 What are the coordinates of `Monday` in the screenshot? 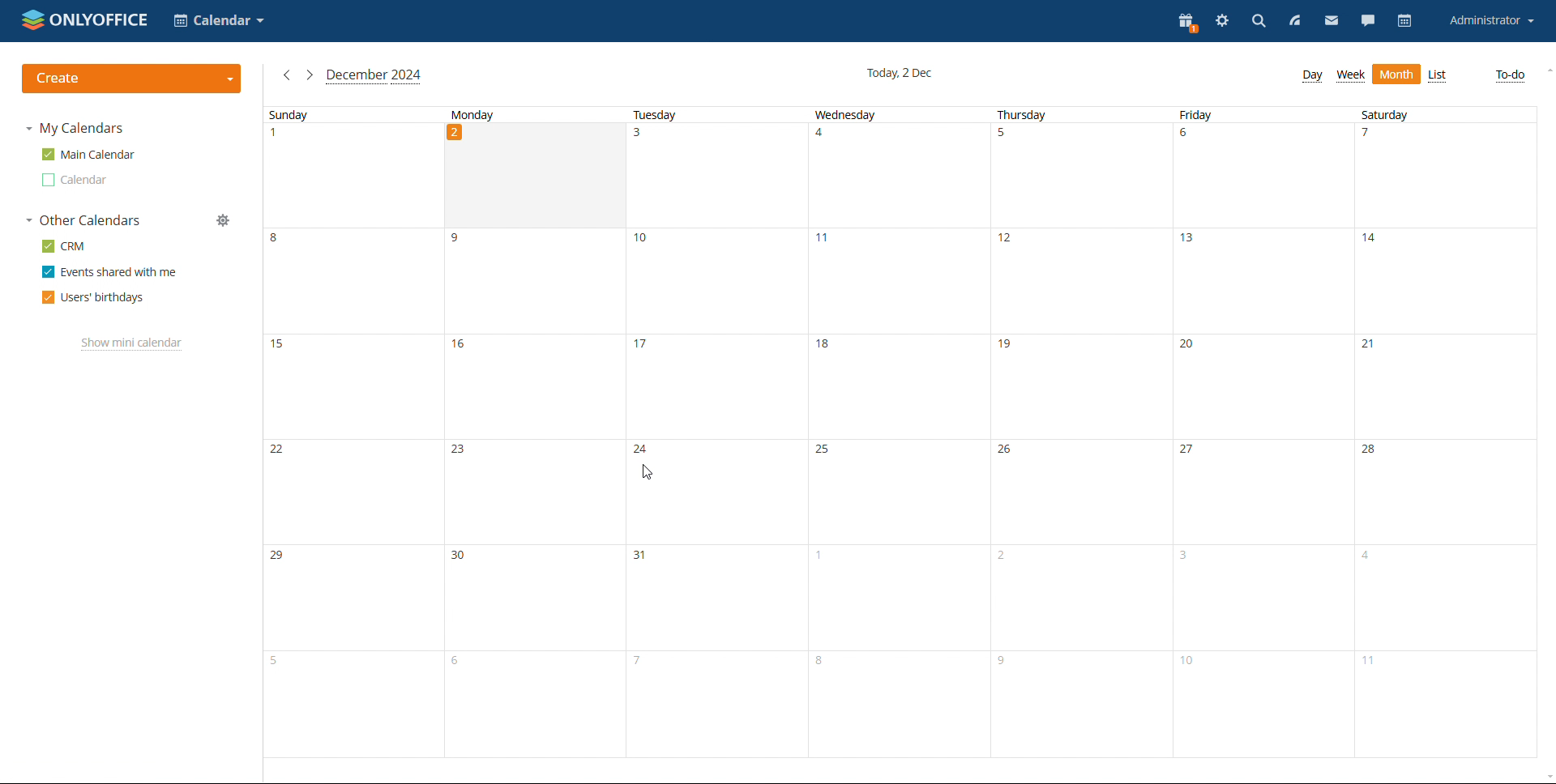 It's located at (473, 114).